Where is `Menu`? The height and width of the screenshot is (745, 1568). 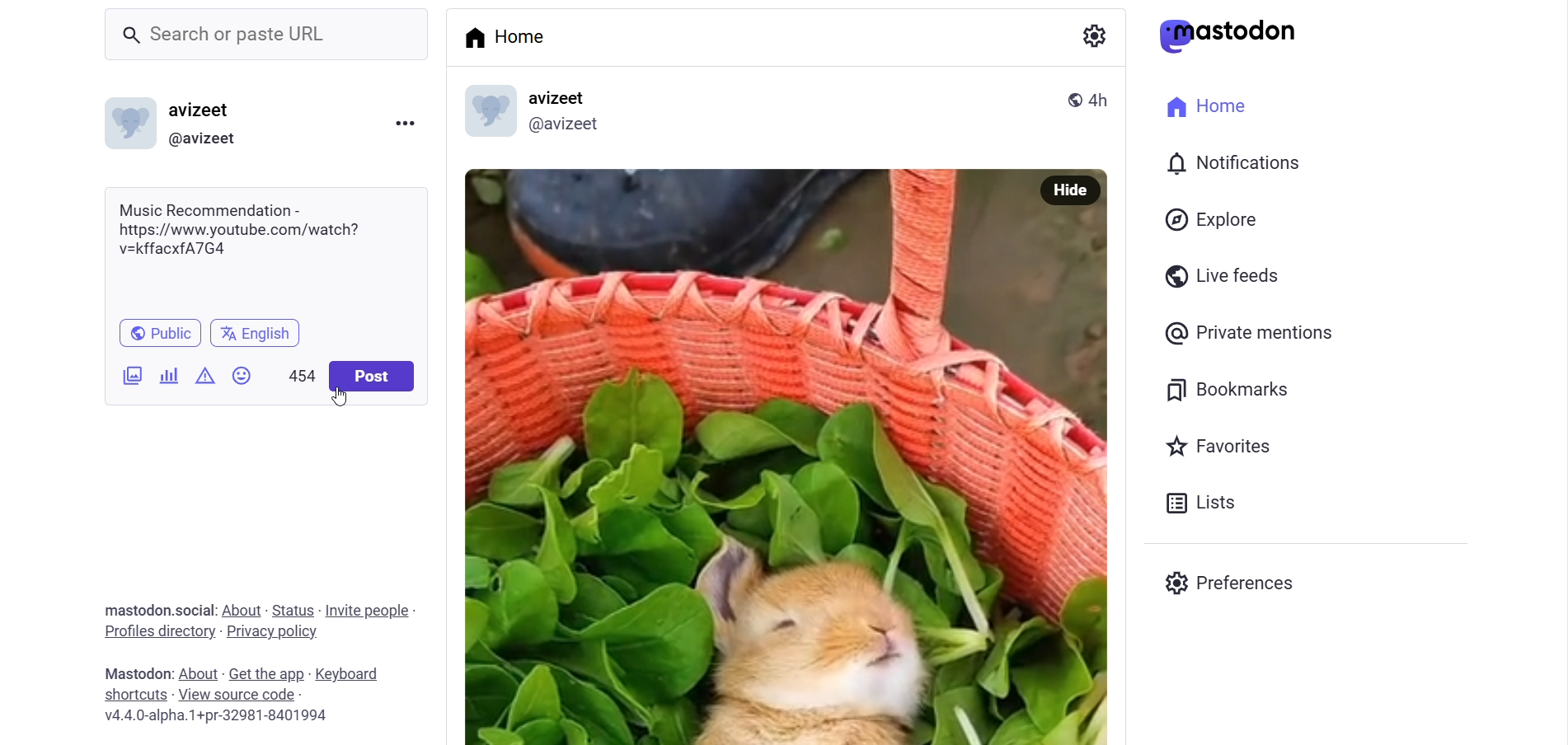
Menu is located at coordinates (409, 123).